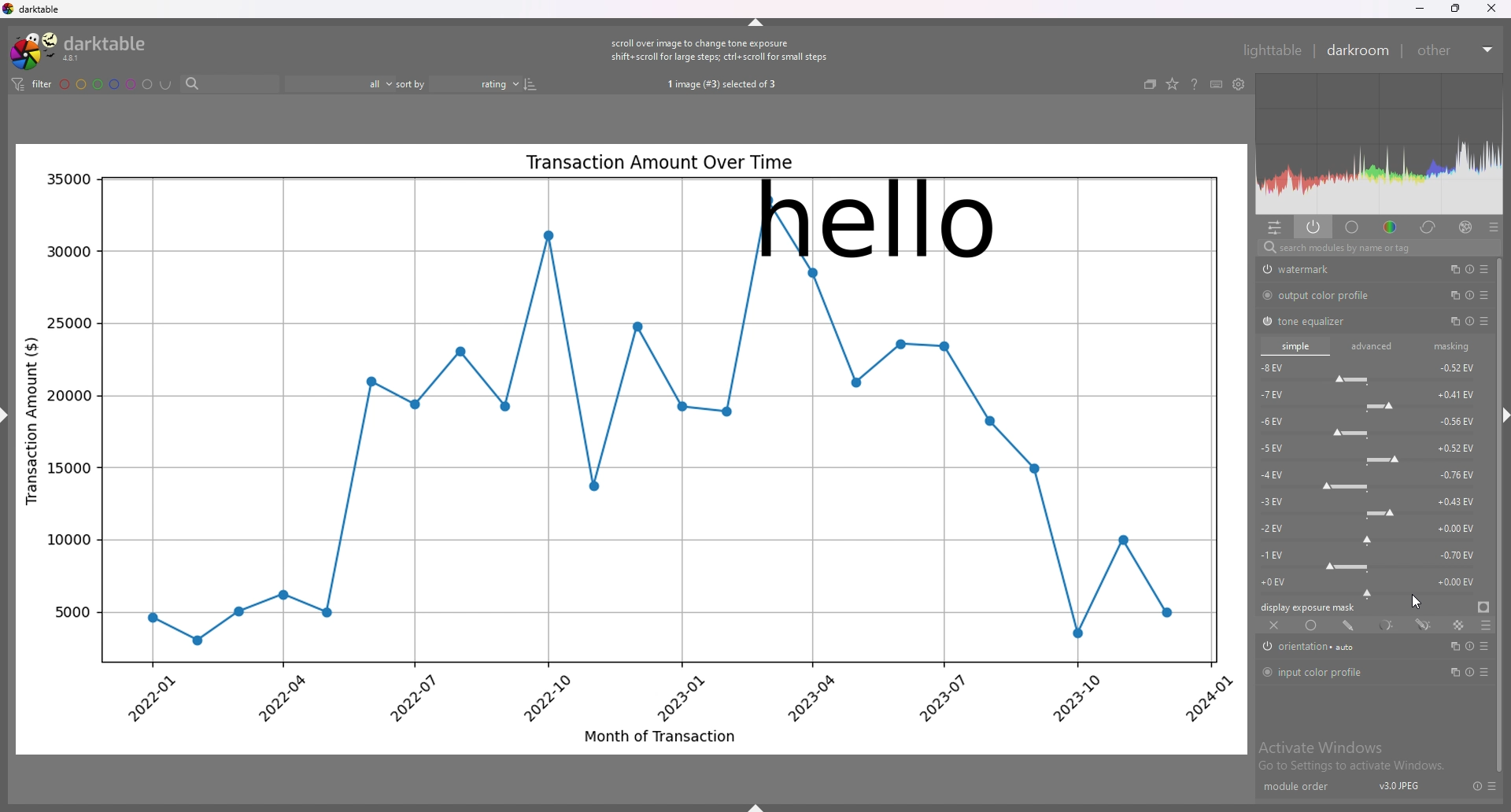 The height and width of the screenshot is (812, 1511). I want to click on switch off/on, so click(1267, 672).